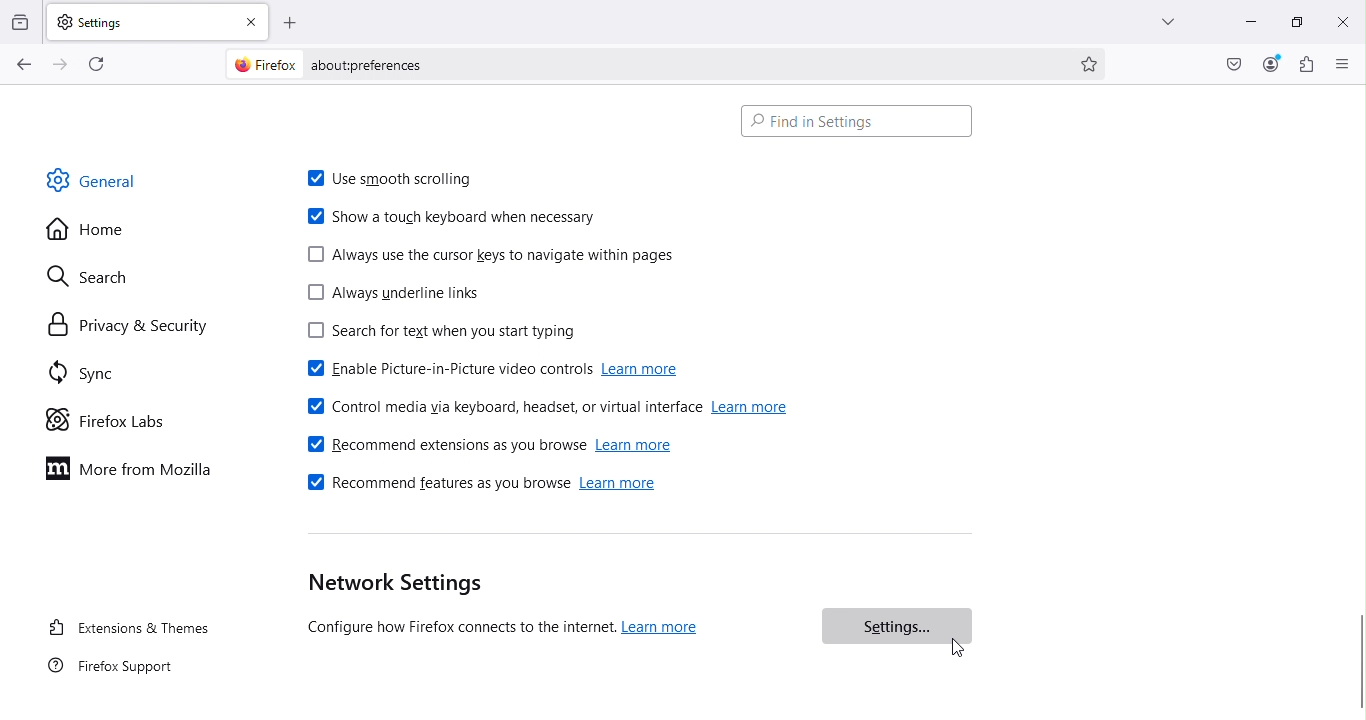 The image size is (1366, 720). I want to click on Enable picture-in-picture video controls, so click(488, 367).